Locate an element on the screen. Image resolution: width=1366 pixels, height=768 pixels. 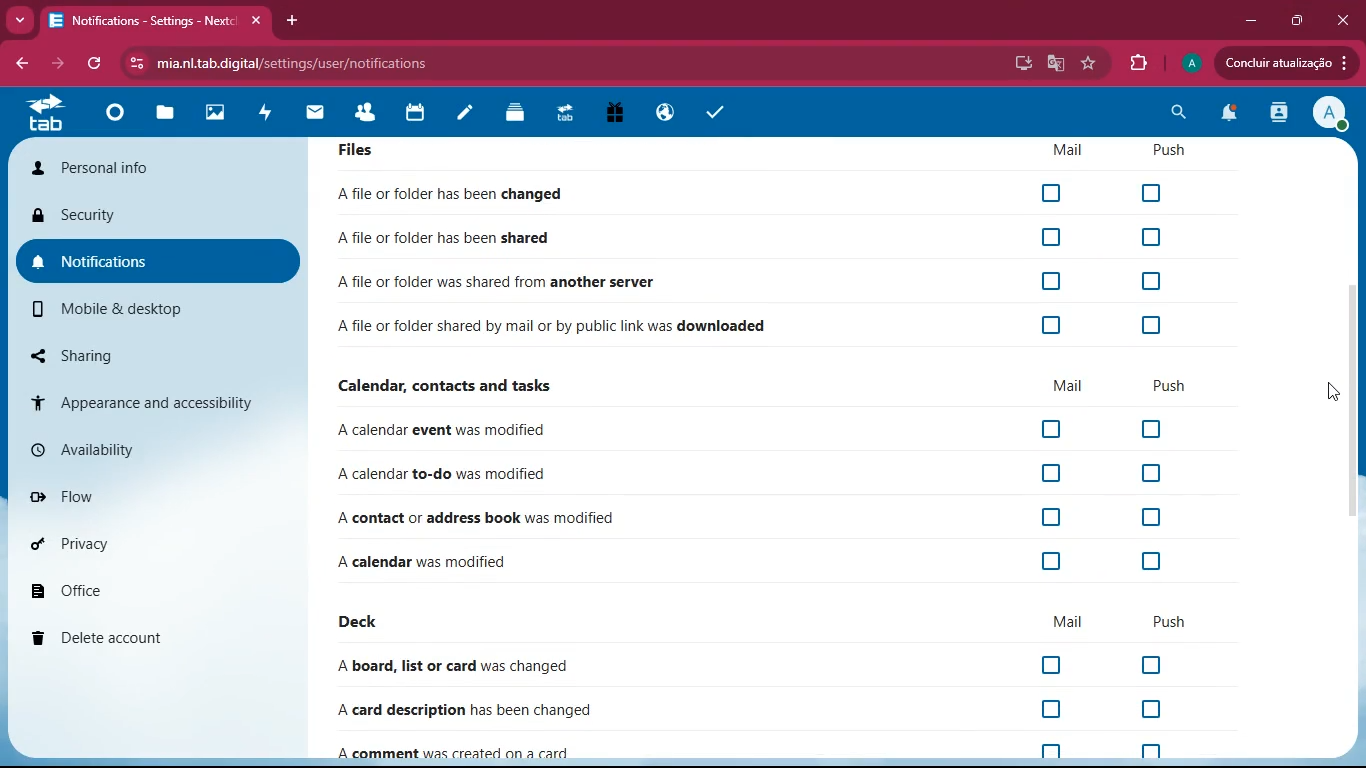
comment is located at coordinates (467, 749).